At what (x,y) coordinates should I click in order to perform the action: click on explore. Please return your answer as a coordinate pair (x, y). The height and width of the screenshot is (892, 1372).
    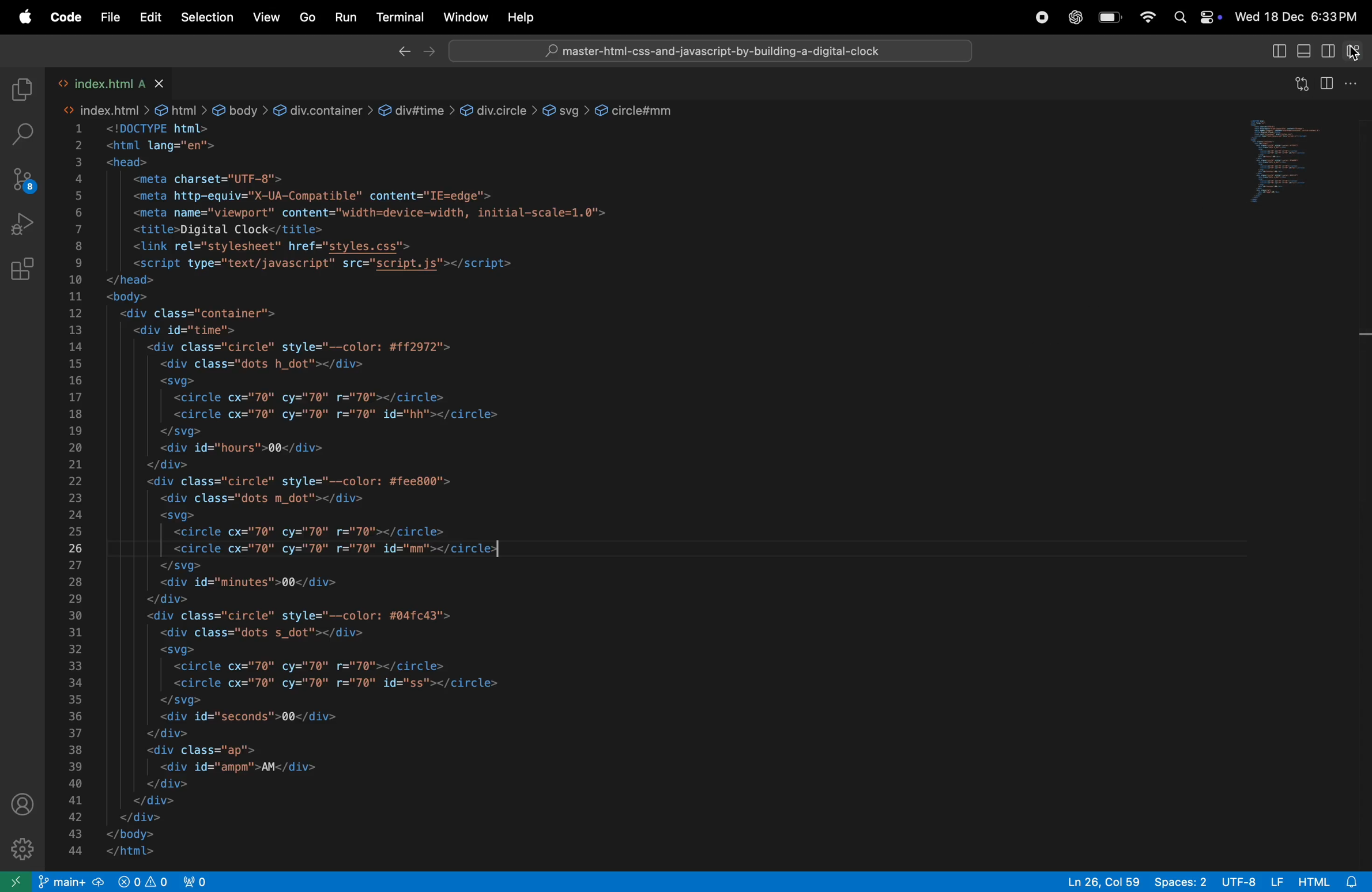
    Looking at the image, I should click on (24, 90).